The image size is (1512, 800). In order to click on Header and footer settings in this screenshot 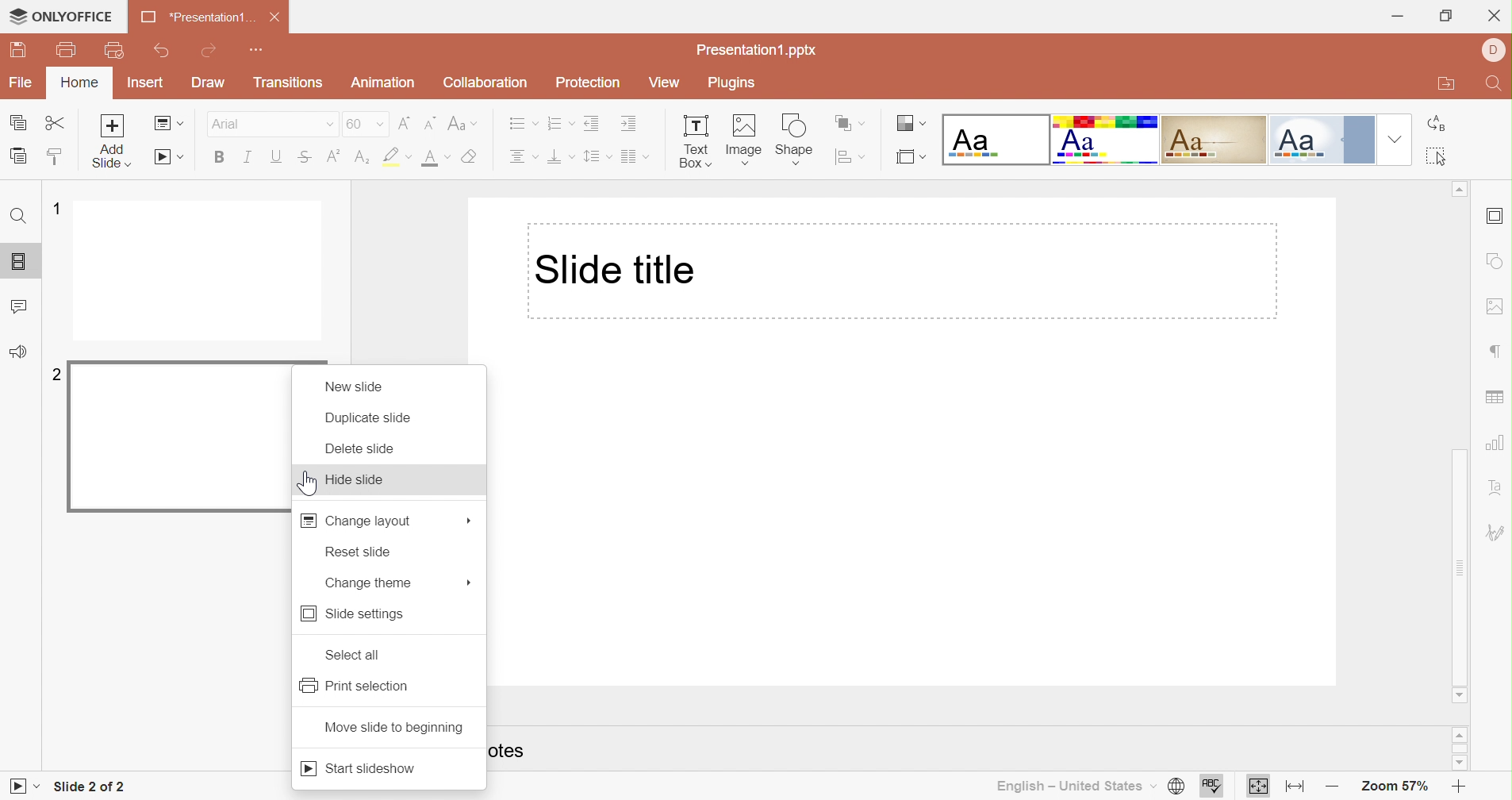, I will do `click(1496, 217)`.